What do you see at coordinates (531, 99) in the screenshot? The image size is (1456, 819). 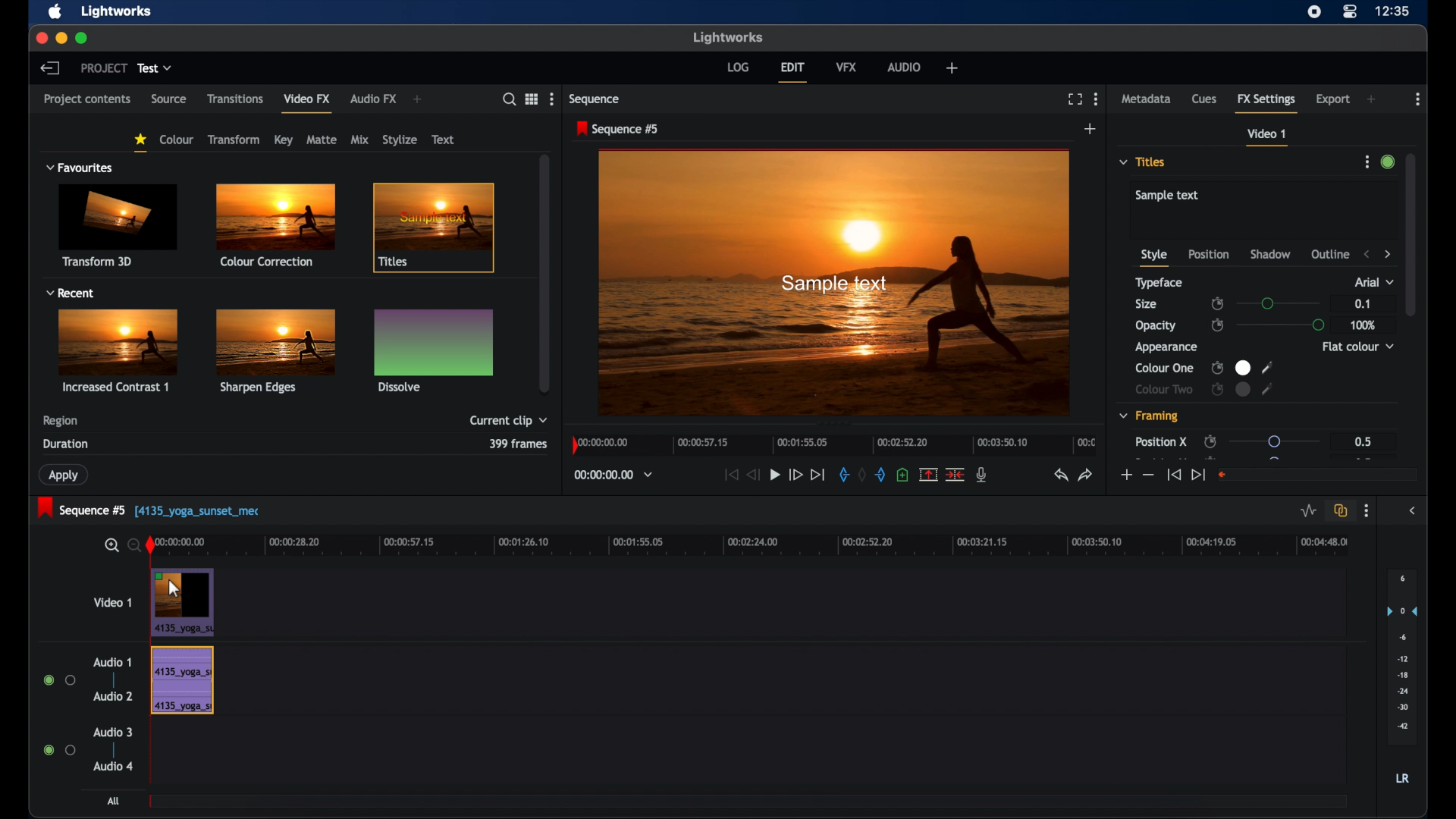 I see `options` at bounding box center [531, 99].